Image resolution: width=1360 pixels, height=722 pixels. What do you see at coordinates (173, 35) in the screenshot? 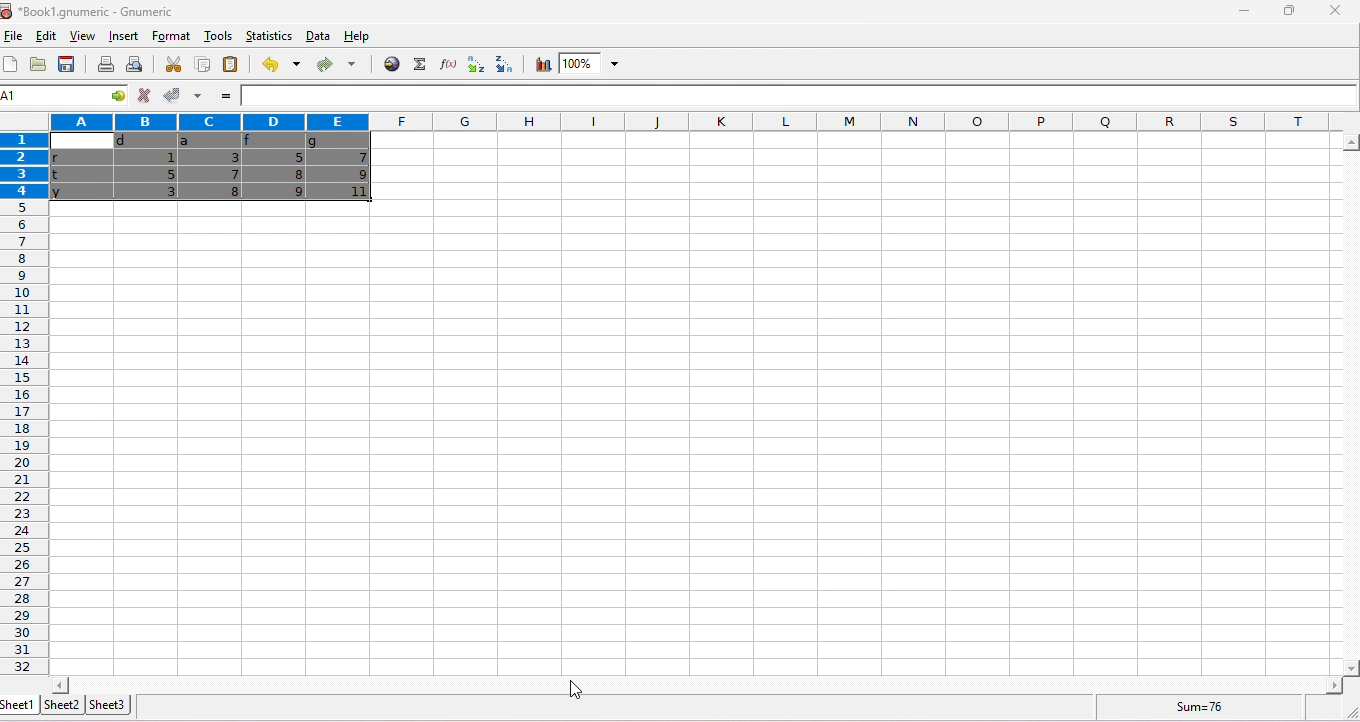
I see `format` at bounding box center [173, 35].